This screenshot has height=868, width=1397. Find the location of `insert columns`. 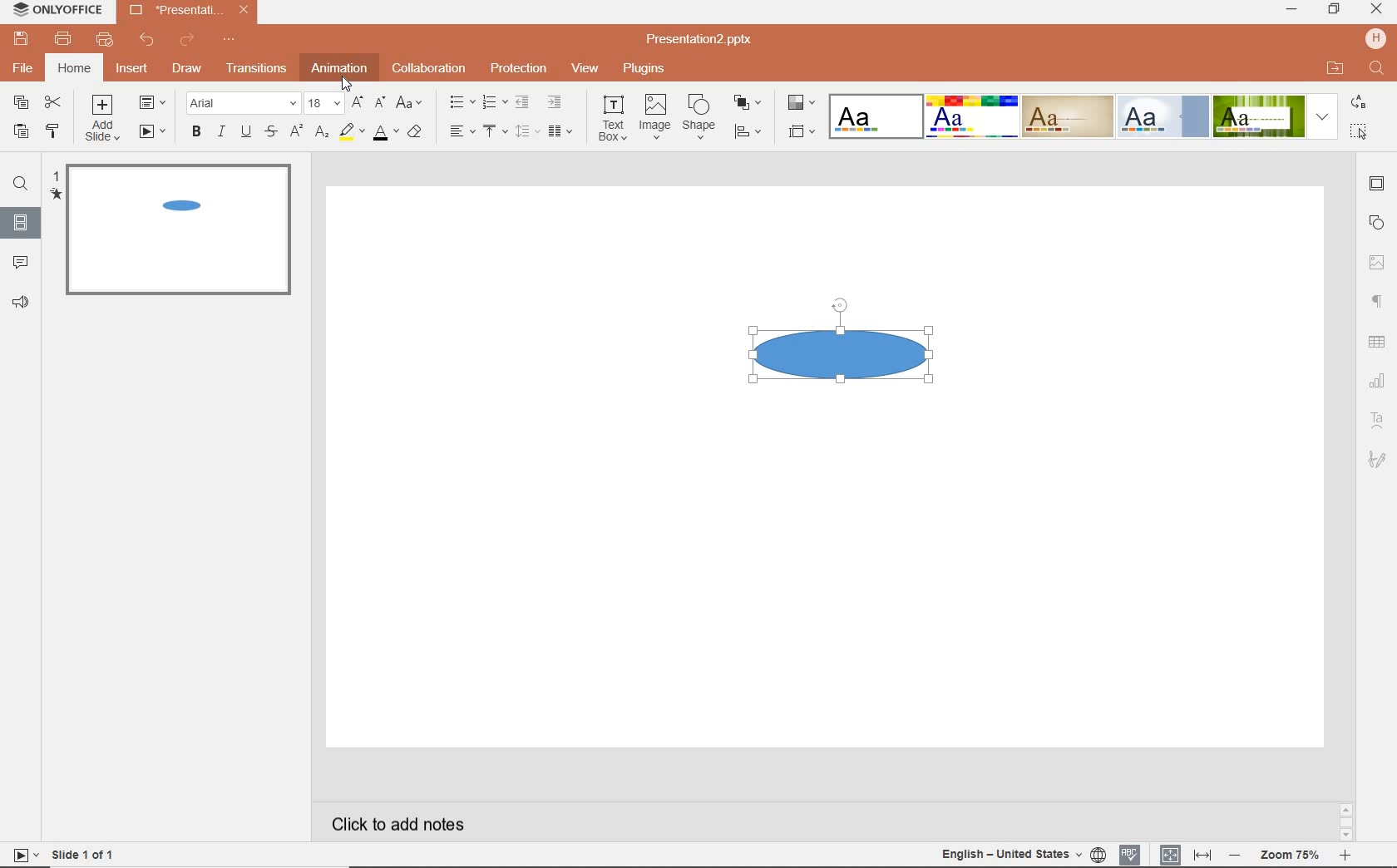

insert columns is located at coordinates (562, 133).